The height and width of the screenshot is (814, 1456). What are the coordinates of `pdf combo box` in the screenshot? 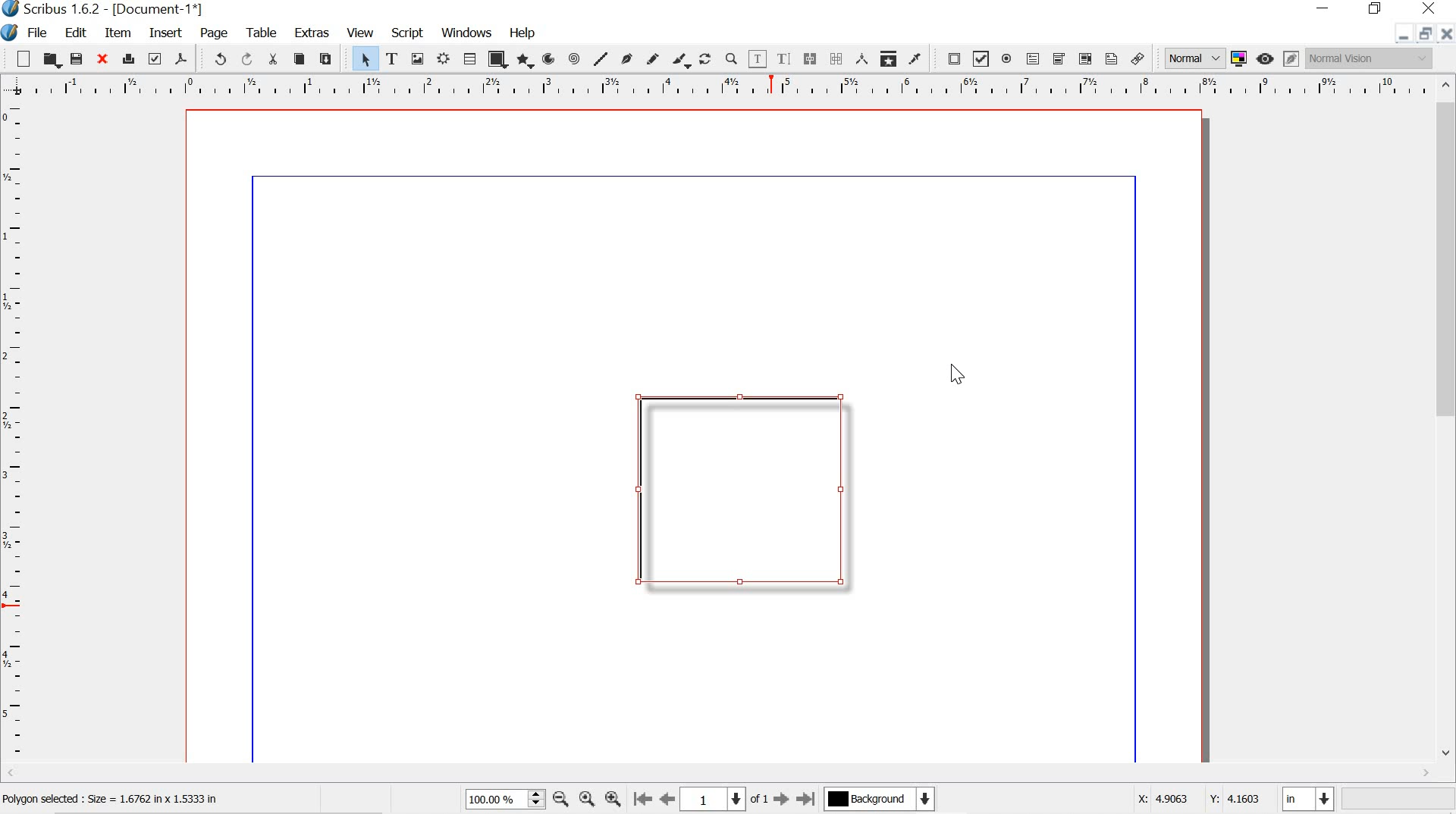 It's located at (1056, 58).